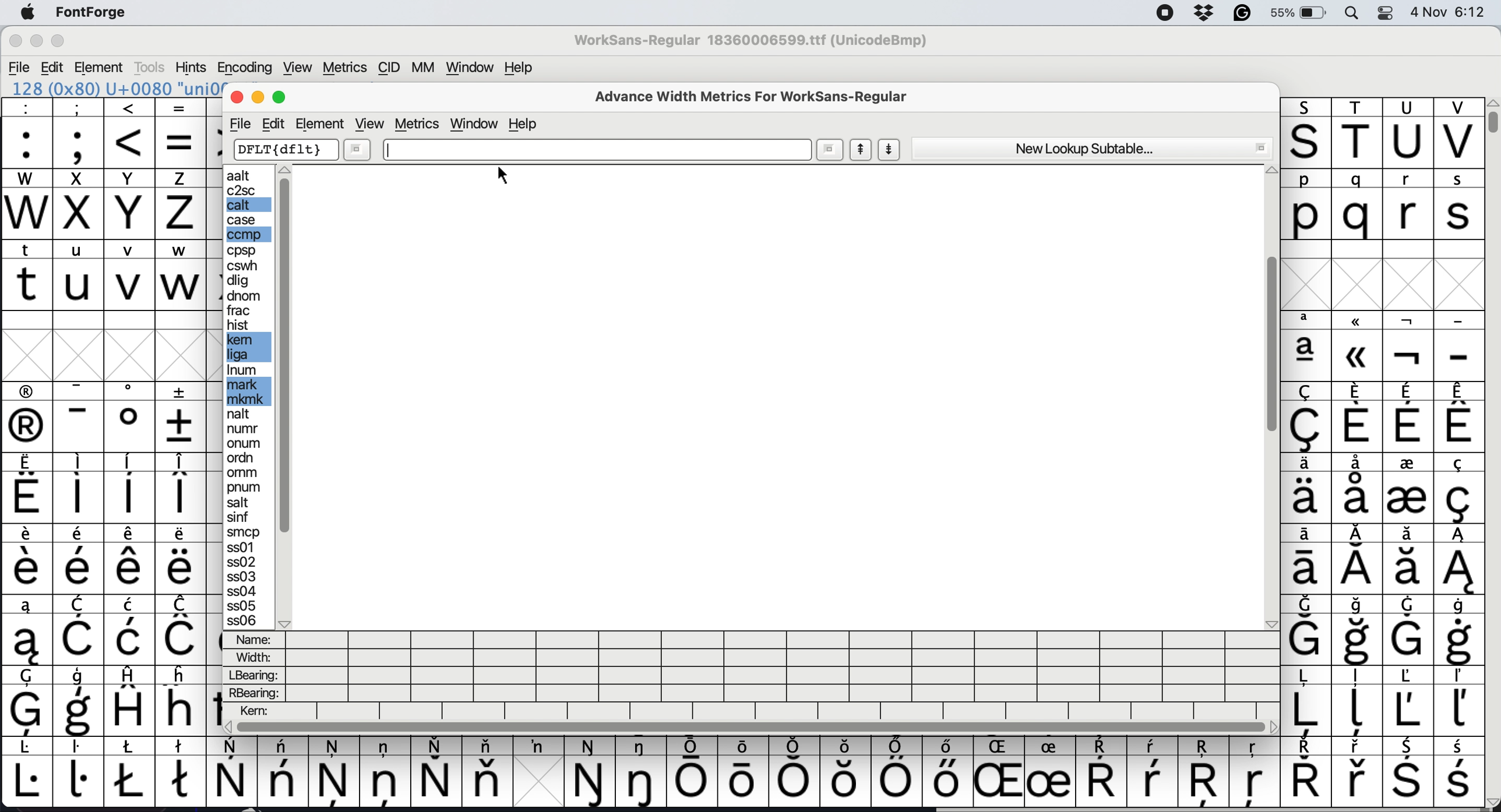  I want to click on minimise, so click(256, 97).